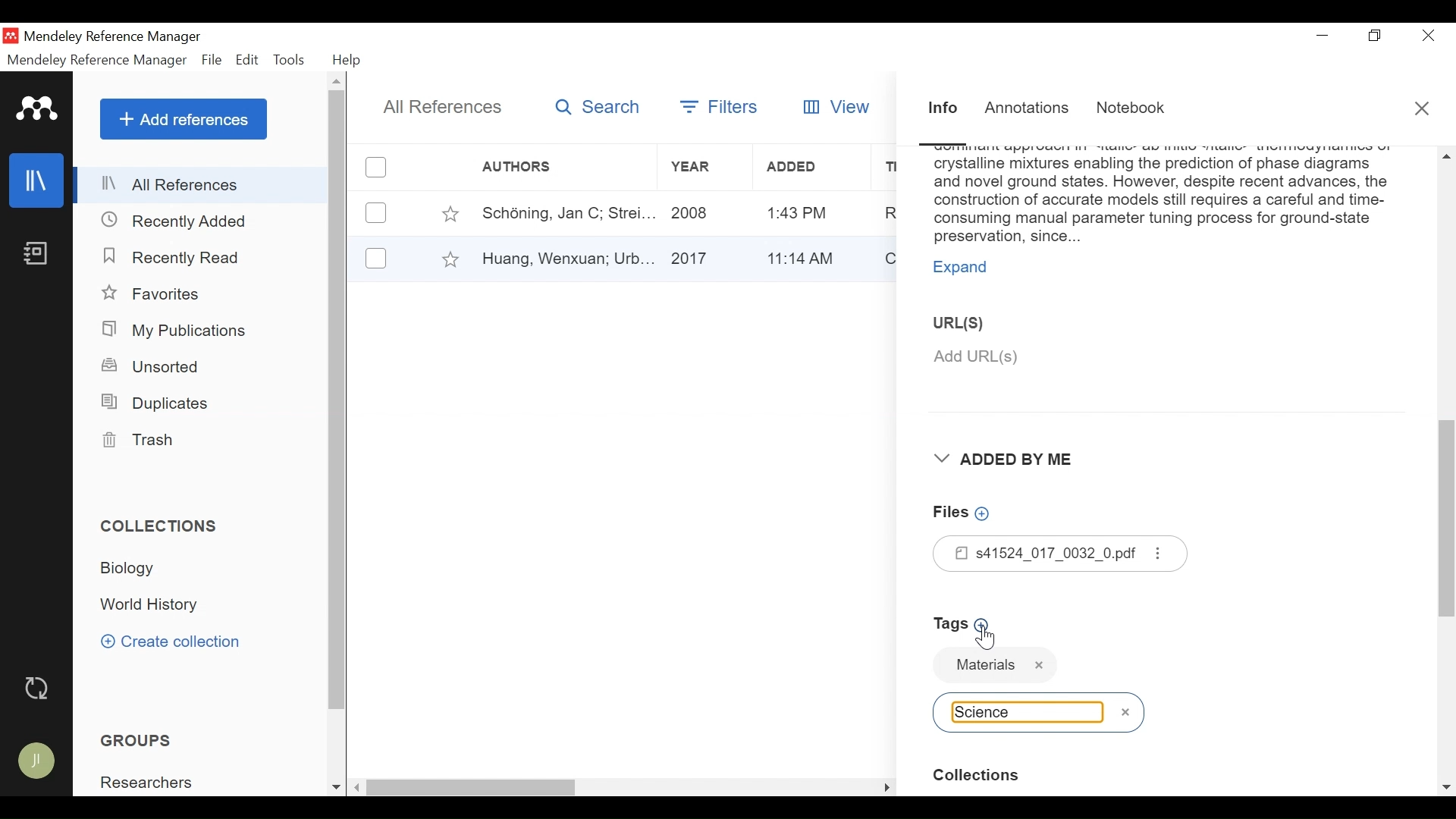 The image size is (1456, 819). Describe the element at coordinates (140, 741) in the screenshot. I see `Groups` at that location.